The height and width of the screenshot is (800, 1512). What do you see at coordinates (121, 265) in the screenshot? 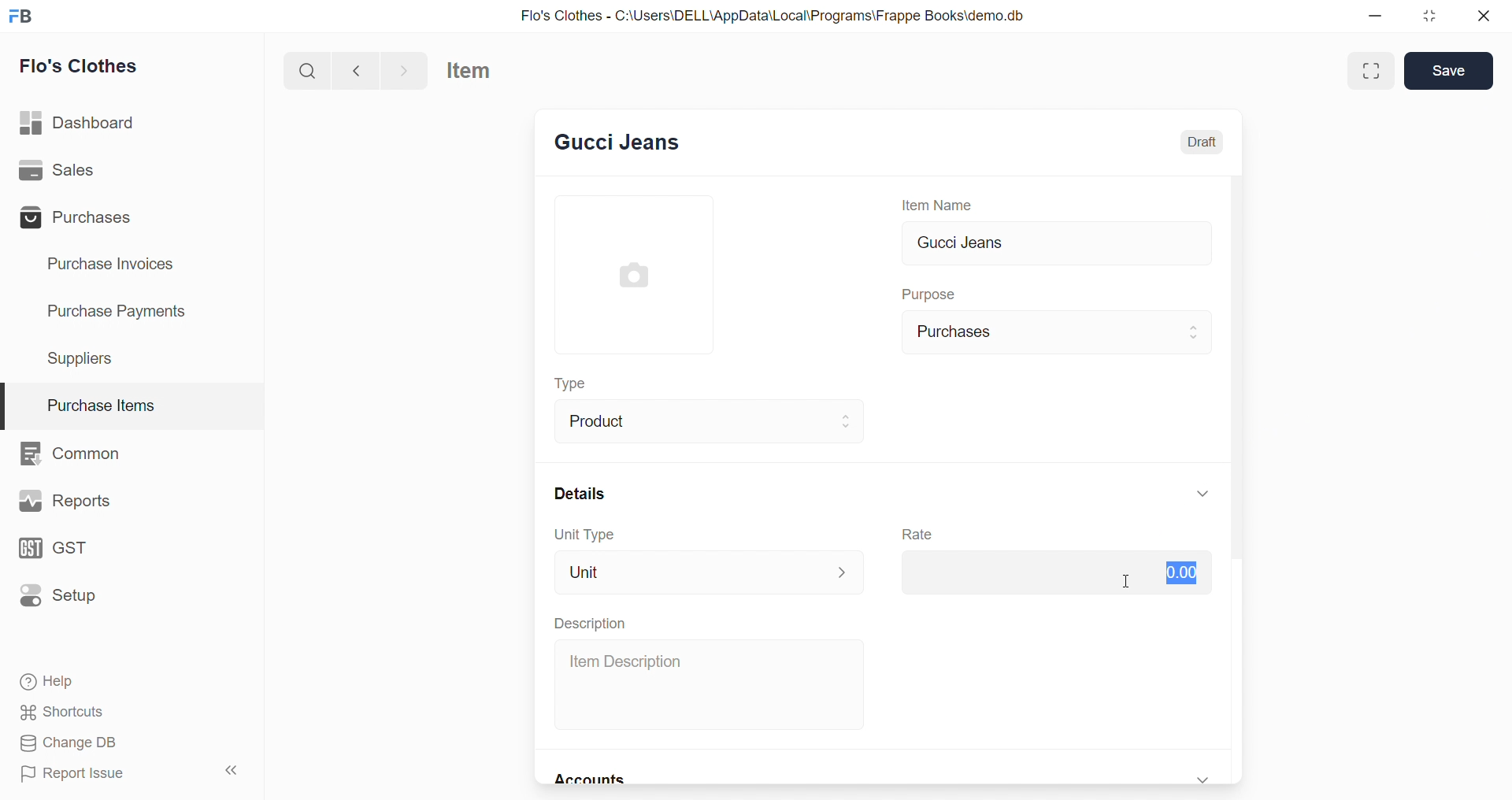
I see `Purchase Invoices` at bounding box center [121, 265].